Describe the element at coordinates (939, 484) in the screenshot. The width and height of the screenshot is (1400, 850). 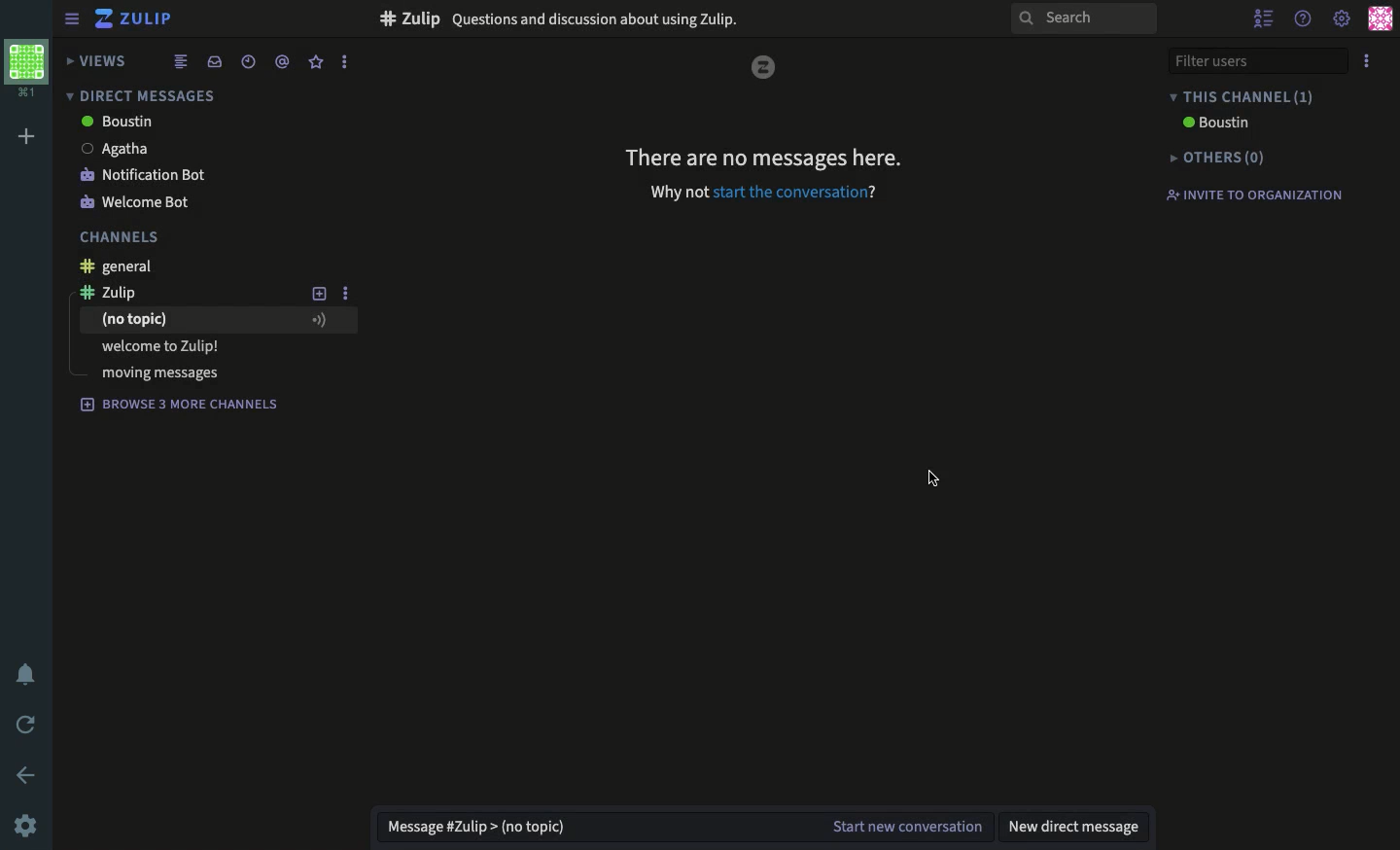
I see `cursor` at that location.